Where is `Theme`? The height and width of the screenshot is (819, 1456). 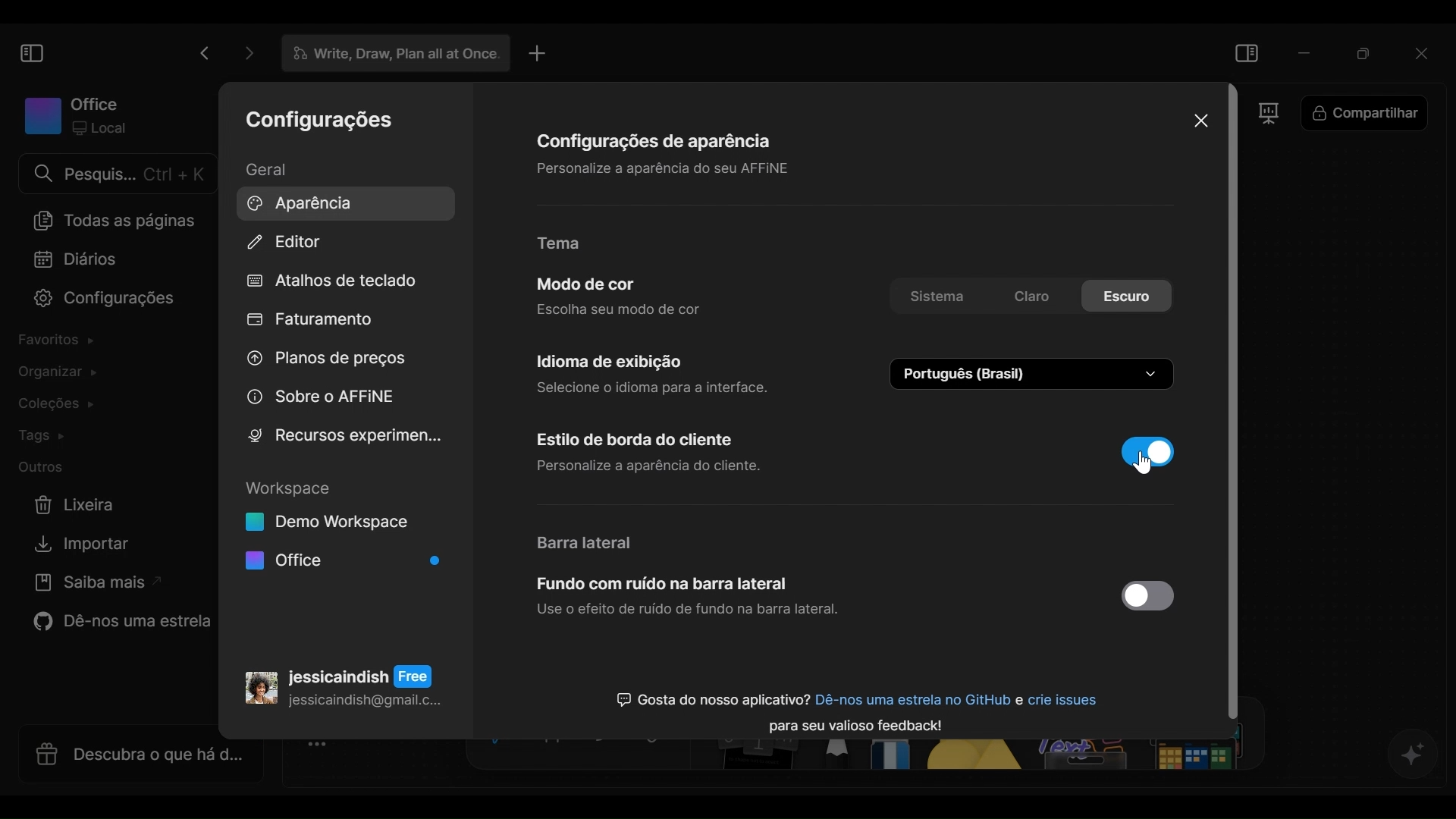
Theme is located at coordinates (570, 244).